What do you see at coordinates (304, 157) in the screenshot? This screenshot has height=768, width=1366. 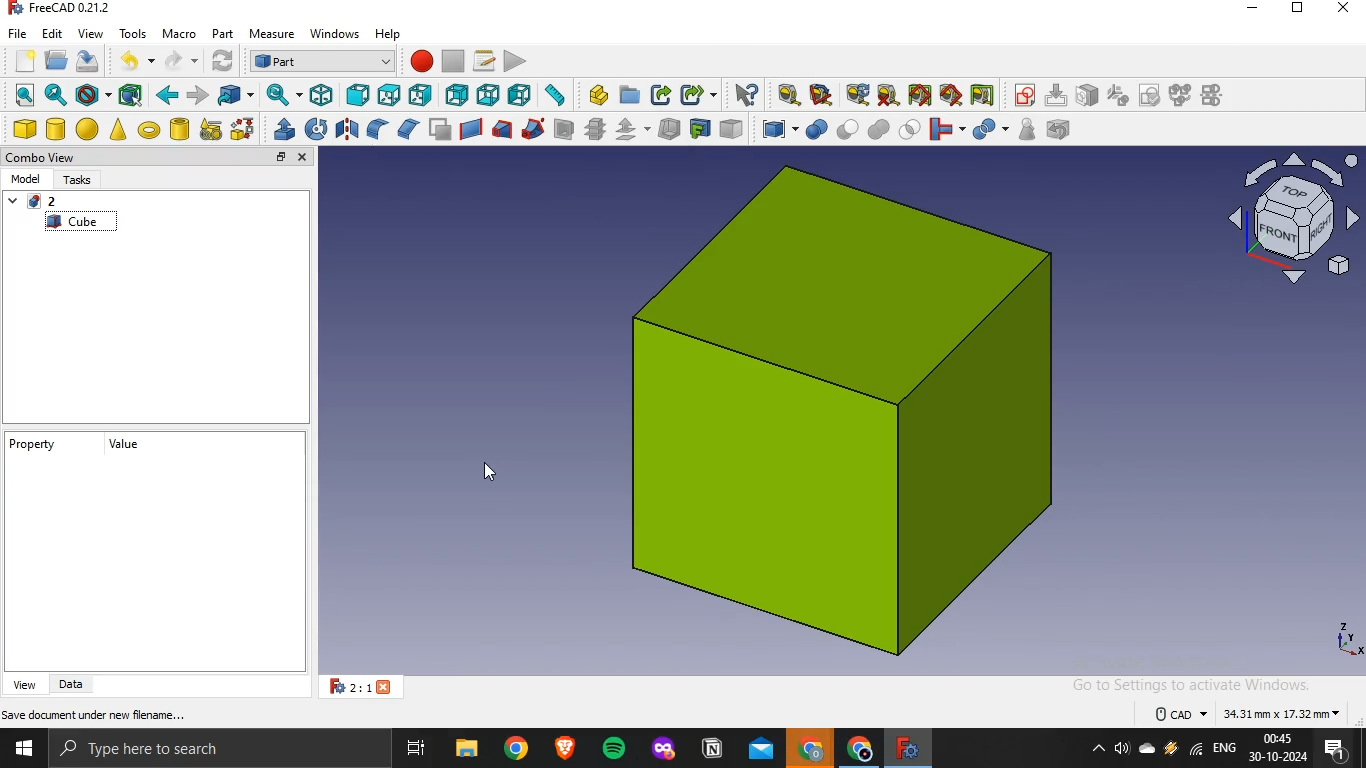 I see `close` at bounding box center [304, 157].